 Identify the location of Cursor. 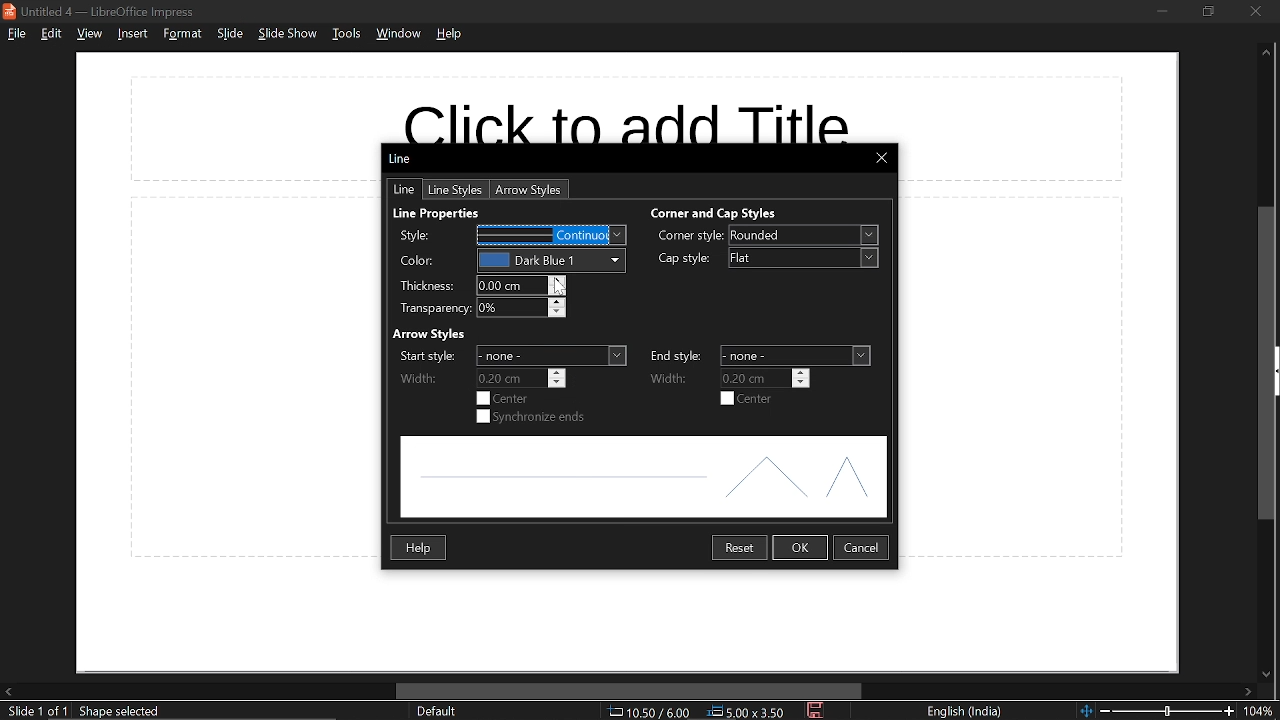
(559, 287).